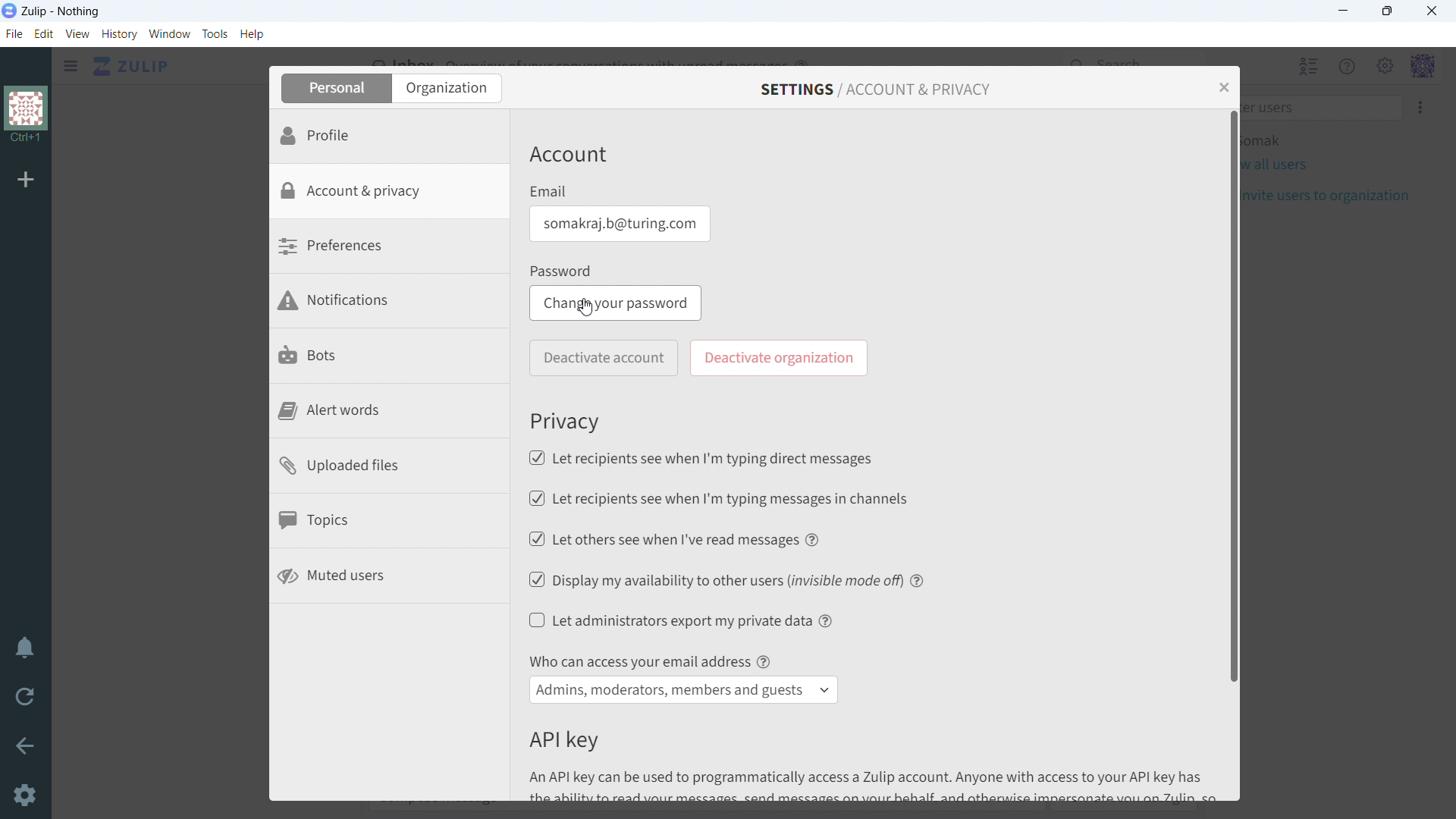 The height and width of the screenshot is (819, 1456). I want to click on main menu, so click(1385, 67).